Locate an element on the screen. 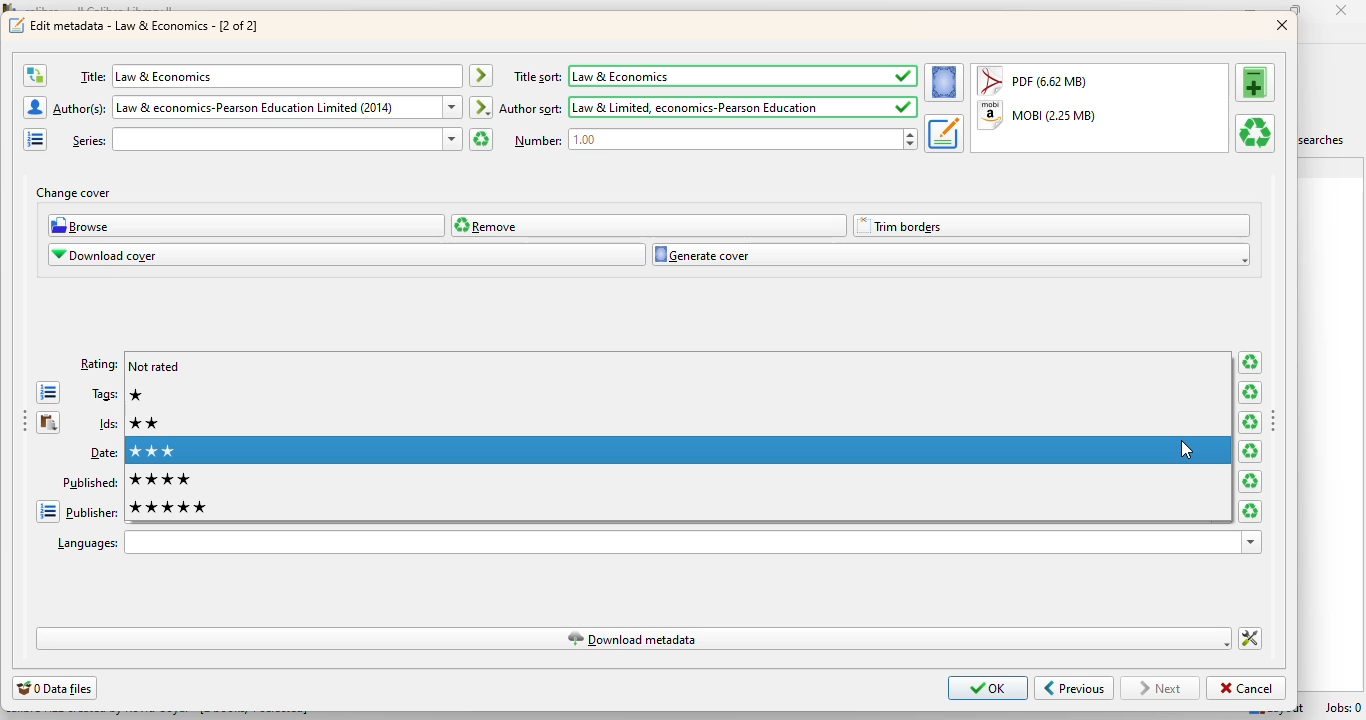 This screenshot has height=720, width=1366. cursor is located at coordinates (1187, 451).